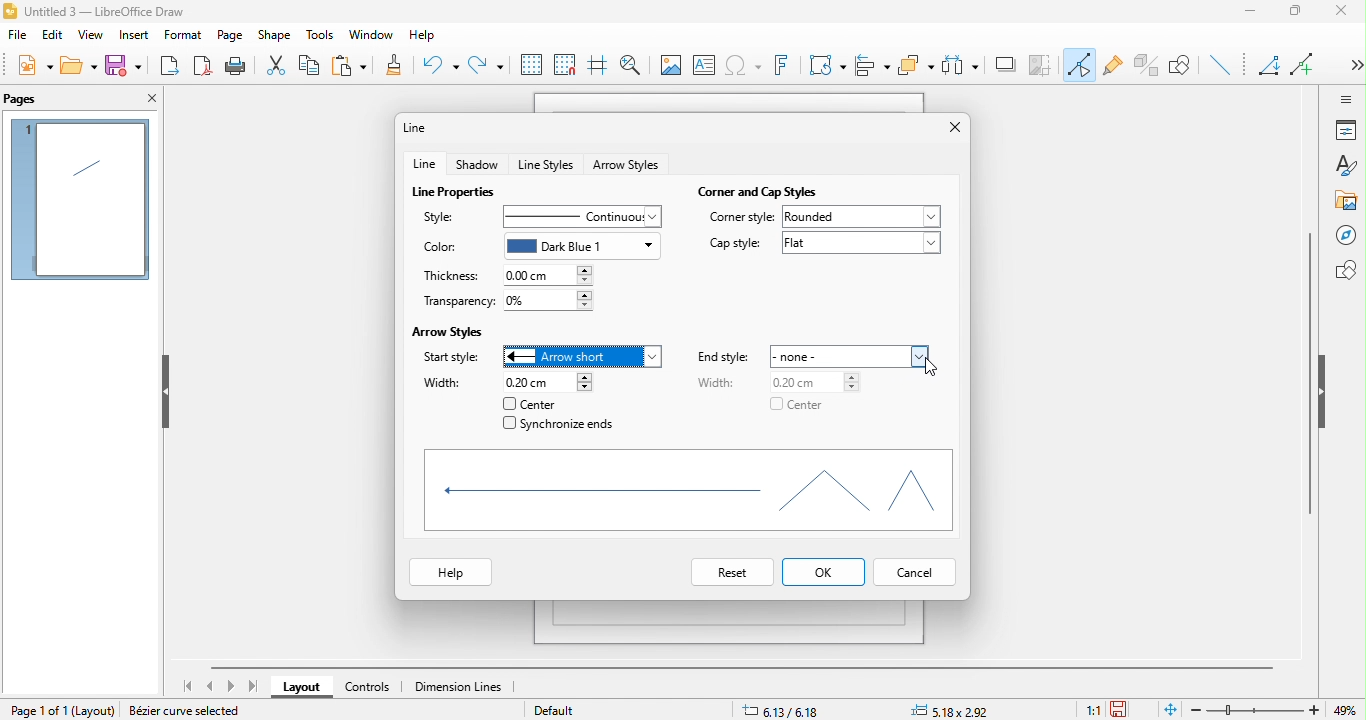 This screenshot has height=720, width=1366. Describe the element at coordinates (452, 574) in the screenshot. I see `help` at that location.